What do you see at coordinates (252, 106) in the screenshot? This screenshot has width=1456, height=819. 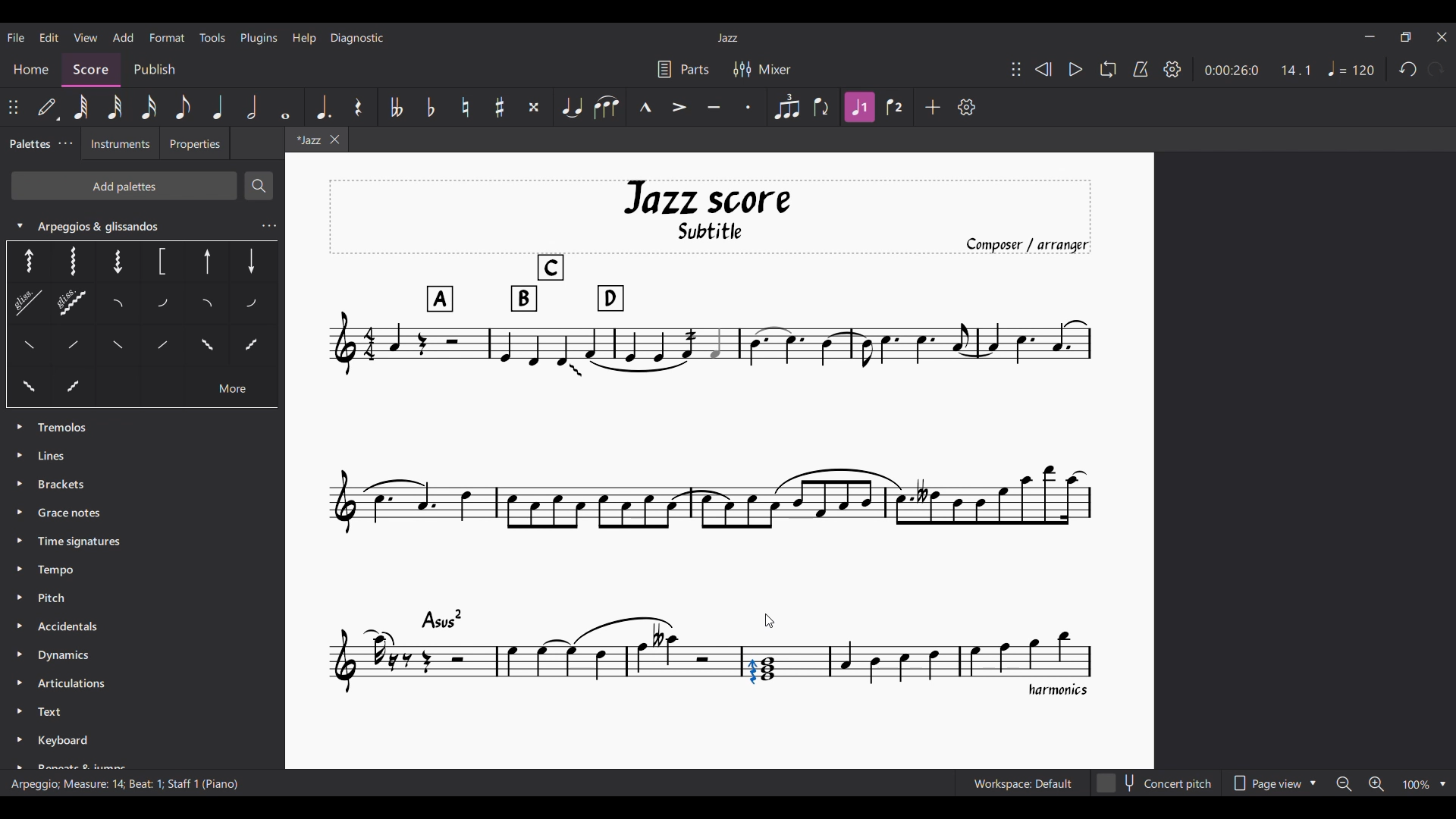 I see `Half note` at bounding box center [252, 106].